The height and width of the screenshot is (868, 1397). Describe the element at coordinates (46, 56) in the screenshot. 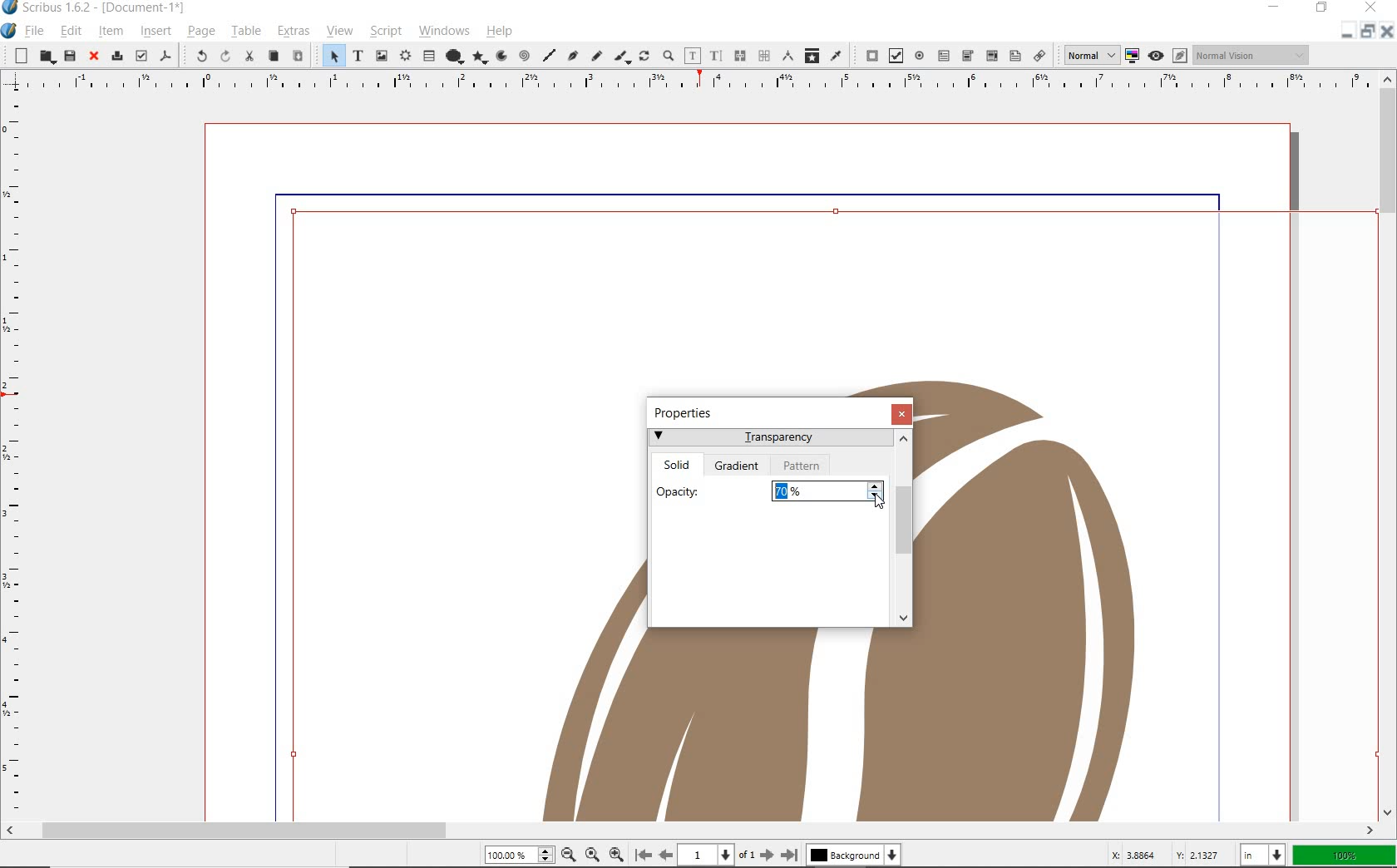

I see `open` at that location.